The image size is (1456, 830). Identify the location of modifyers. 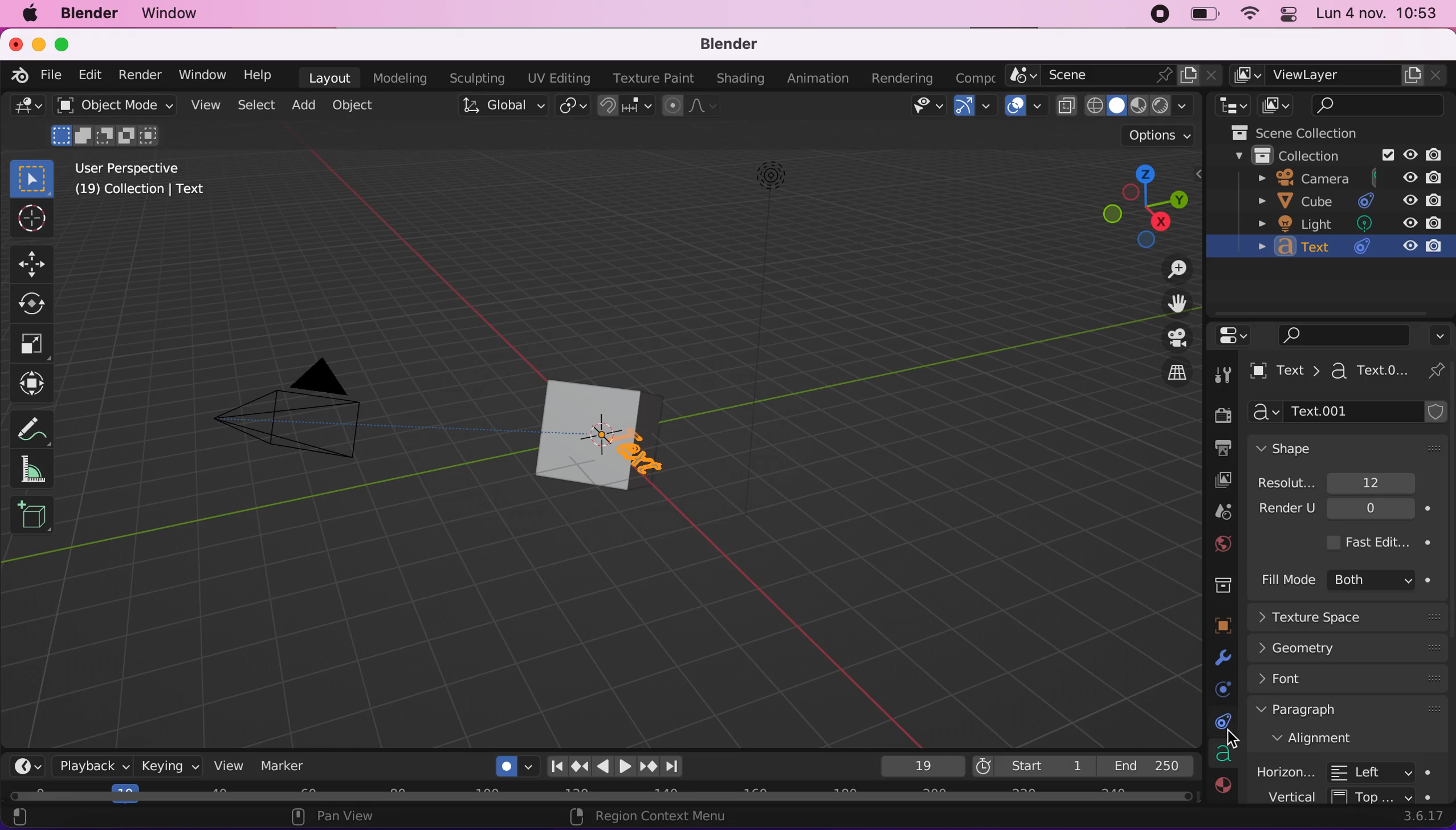
(1224, 658).